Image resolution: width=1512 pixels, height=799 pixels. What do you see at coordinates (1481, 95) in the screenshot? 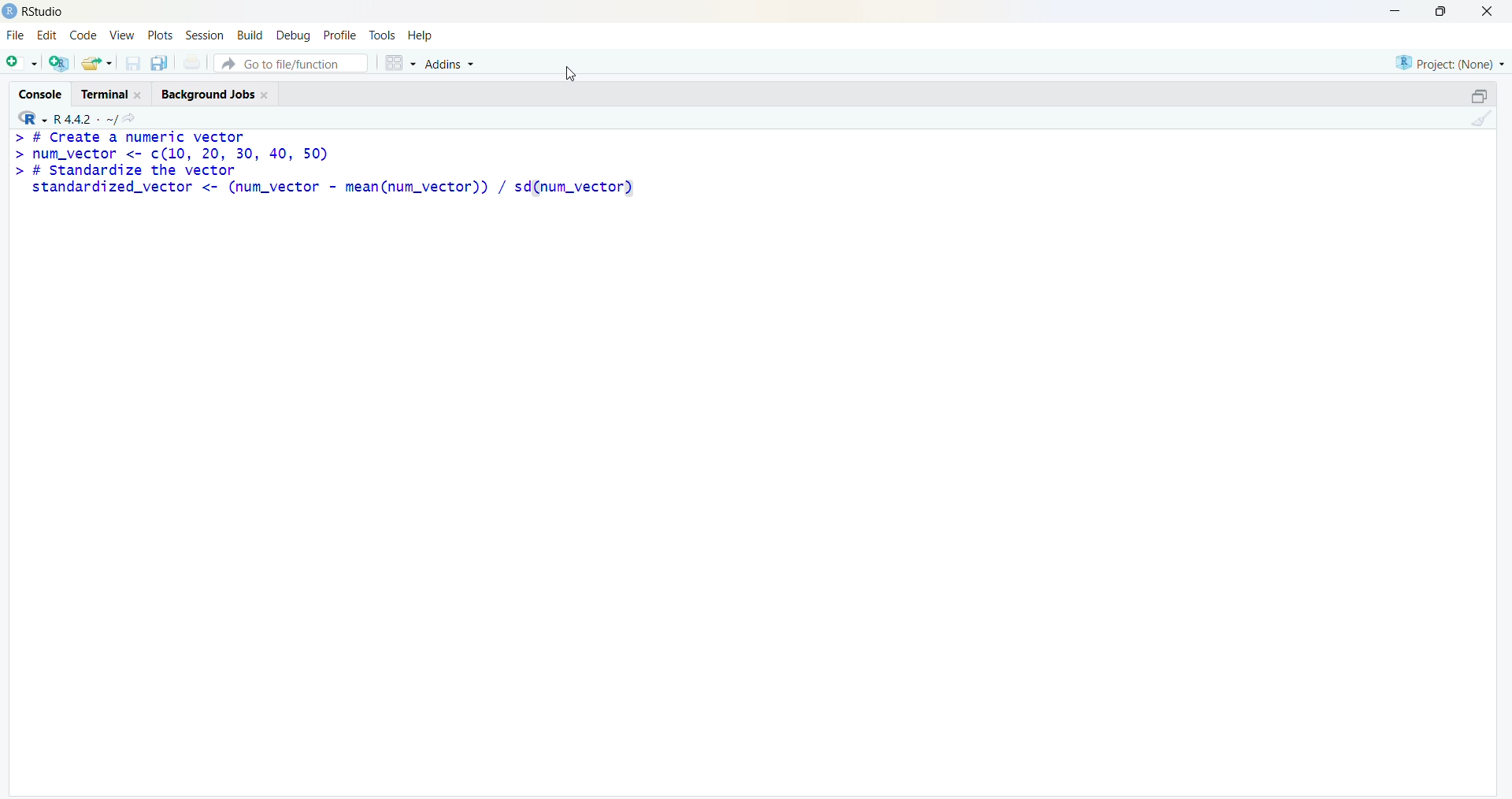
I see `open in separate window` at bounding box center [1481, 95].